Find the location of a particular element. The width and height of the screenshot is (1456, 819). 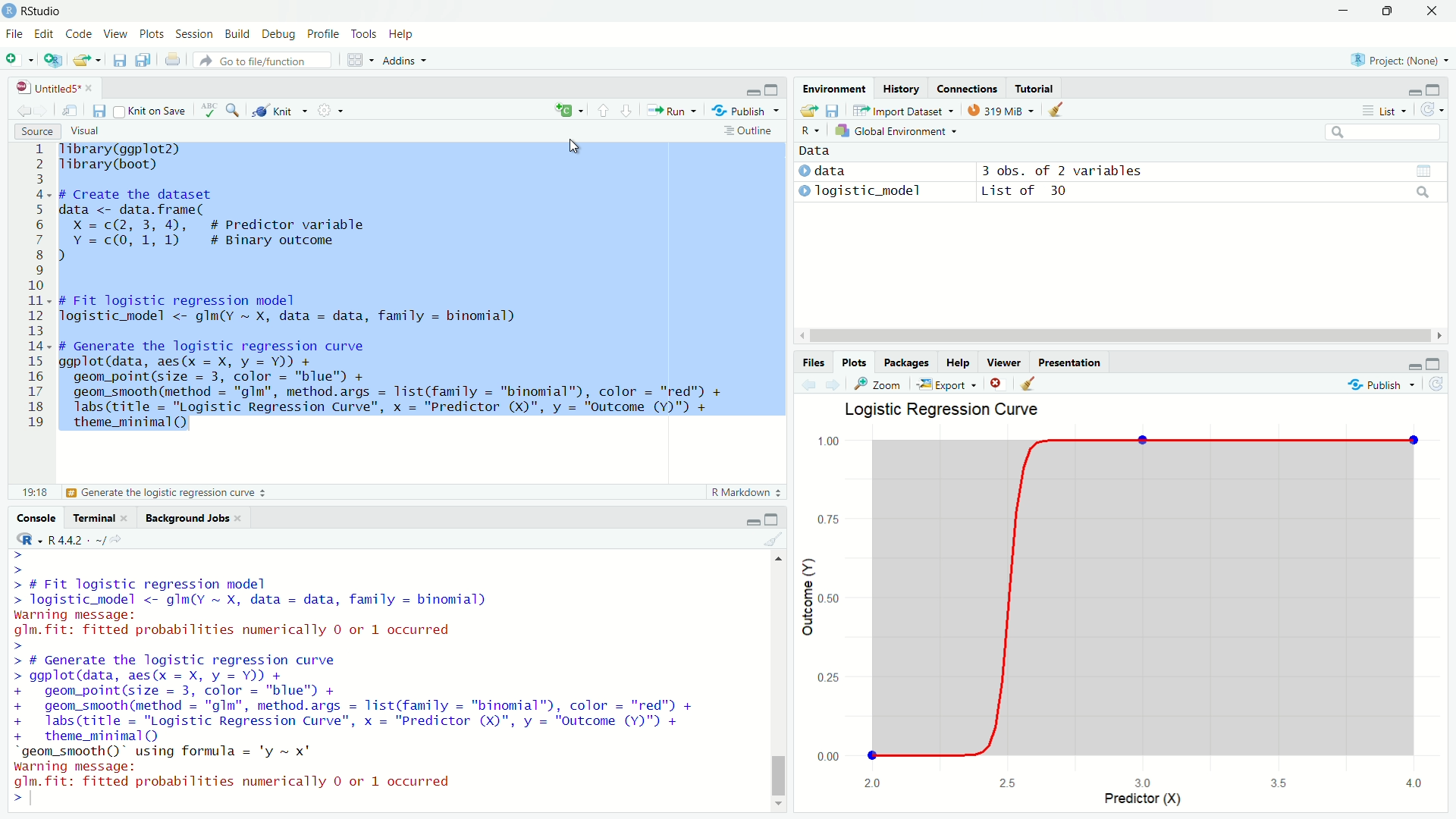

Help is located at coordinates (956, 362).